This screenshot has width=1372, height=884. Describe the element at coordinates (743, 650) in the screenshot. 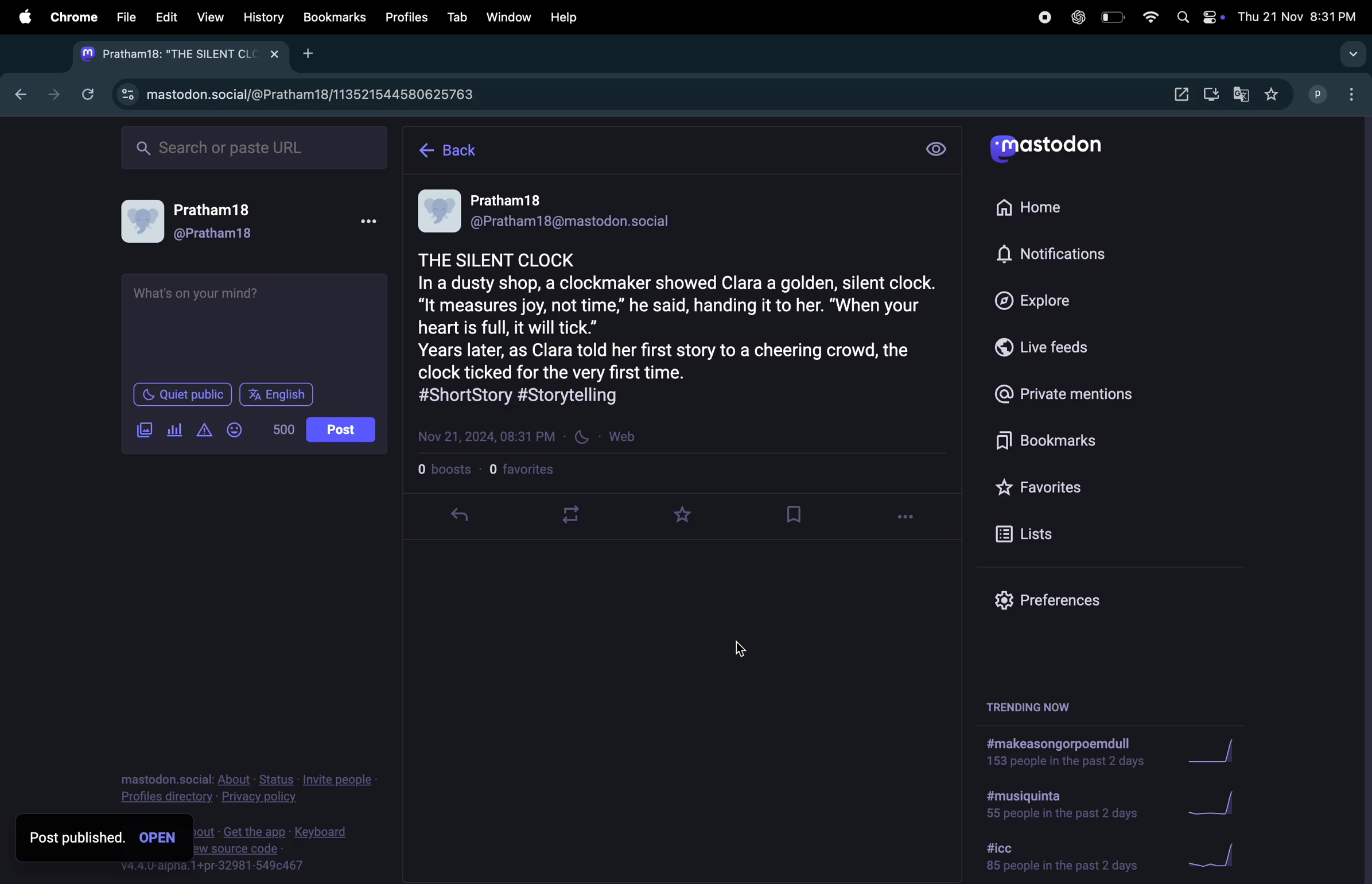

I see `cursor` at that location.